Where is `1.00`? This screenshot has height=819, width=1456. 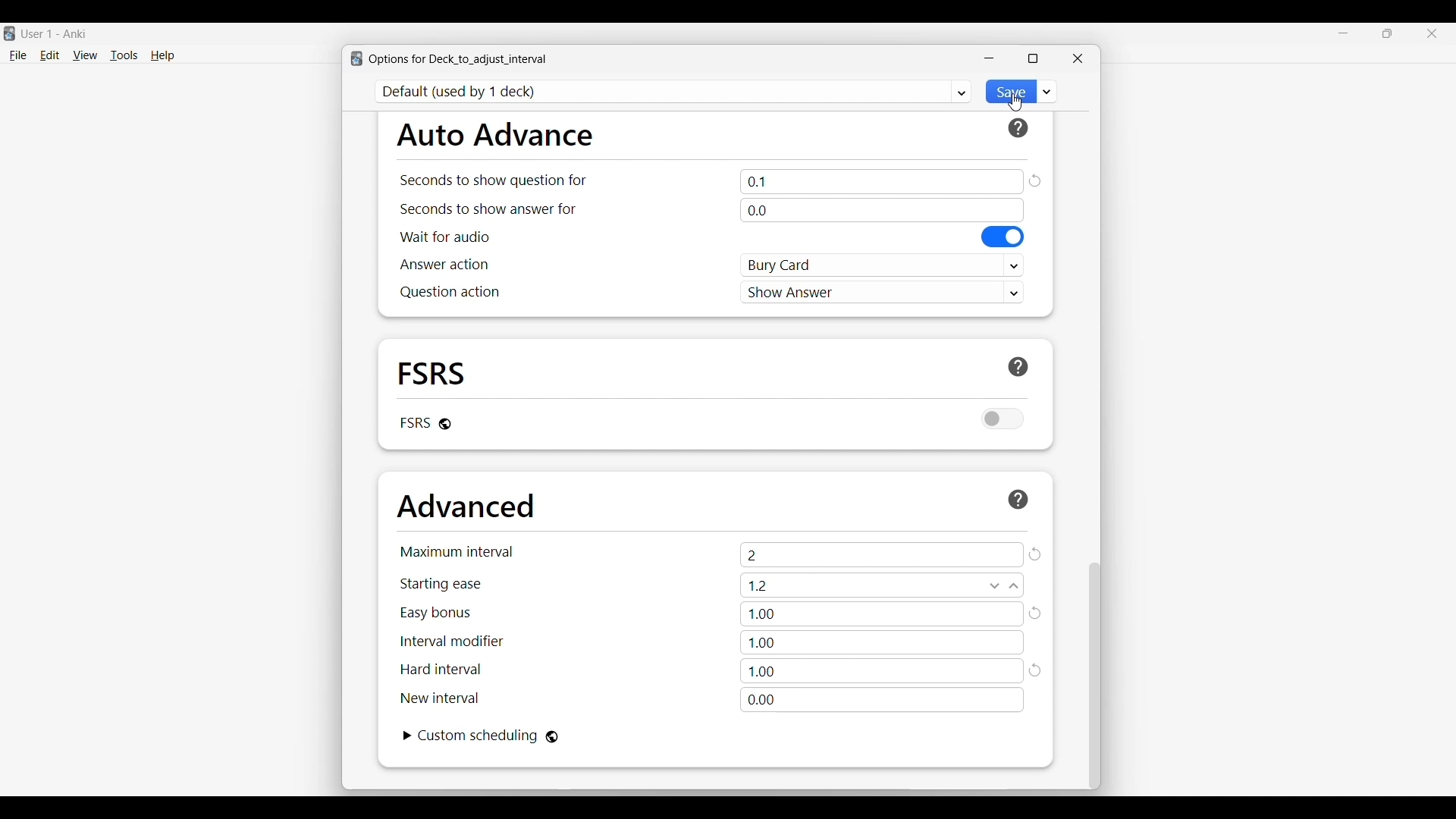 1.00 is located at coordinates (883, 614).